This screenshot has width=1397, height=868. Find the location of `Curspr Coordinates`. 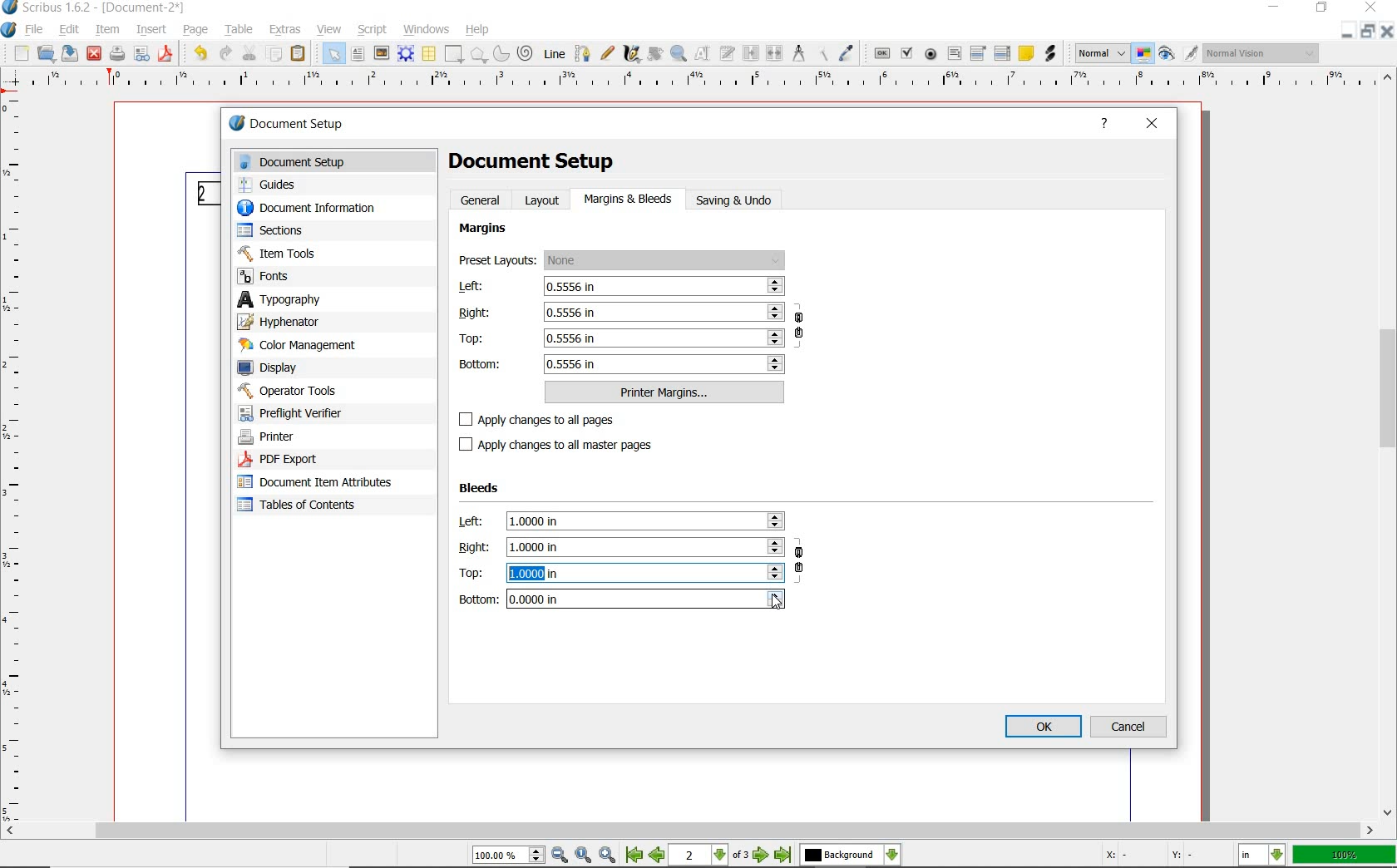

Curspr Coordinates is located at coordinates (1150, 856).